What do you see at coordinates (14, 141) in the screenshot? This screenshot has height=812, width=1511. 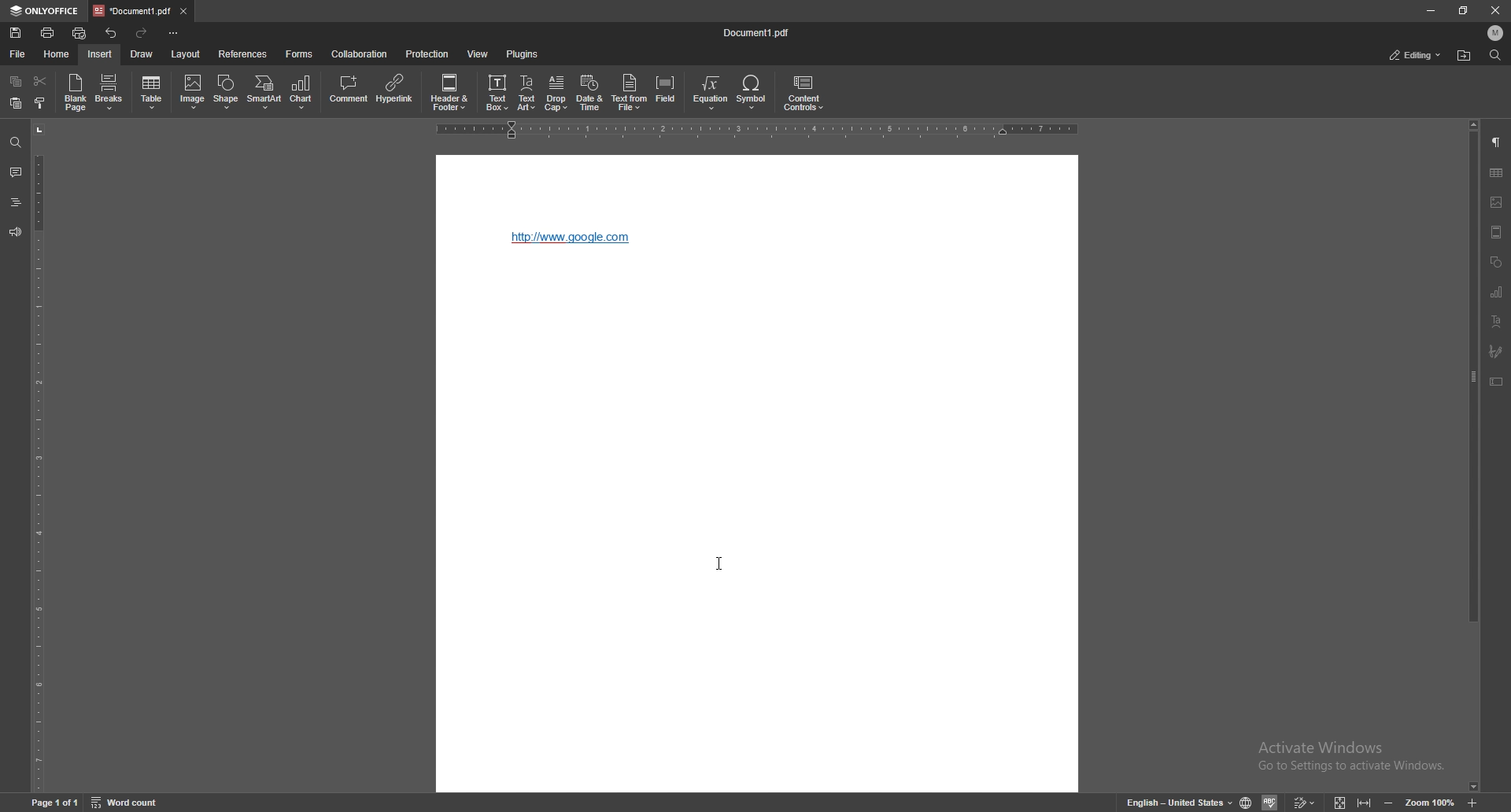 I see `find` at bounding box center [14, 141].